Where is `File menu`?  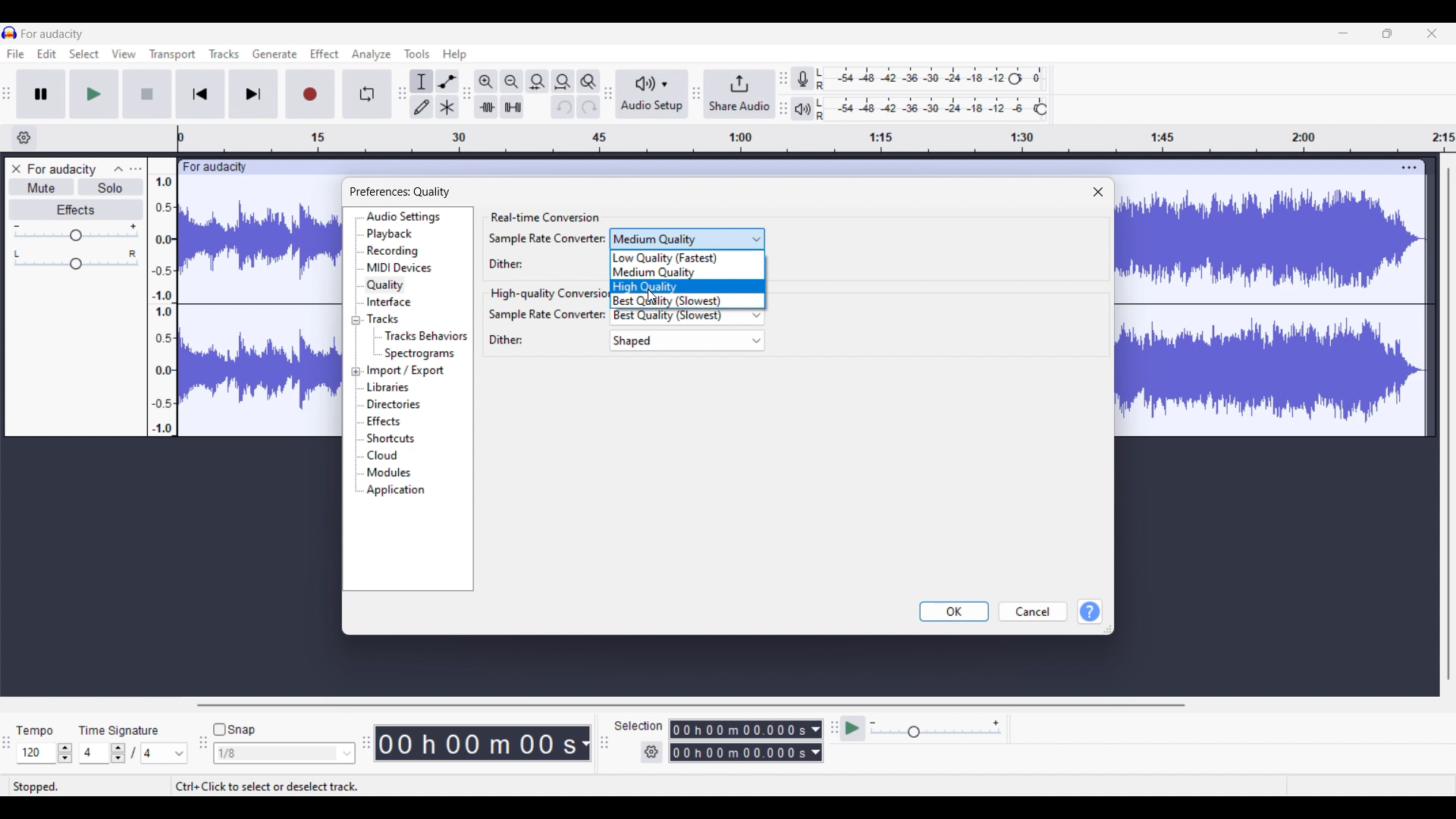
File menu is located at coordinates (16, 54).